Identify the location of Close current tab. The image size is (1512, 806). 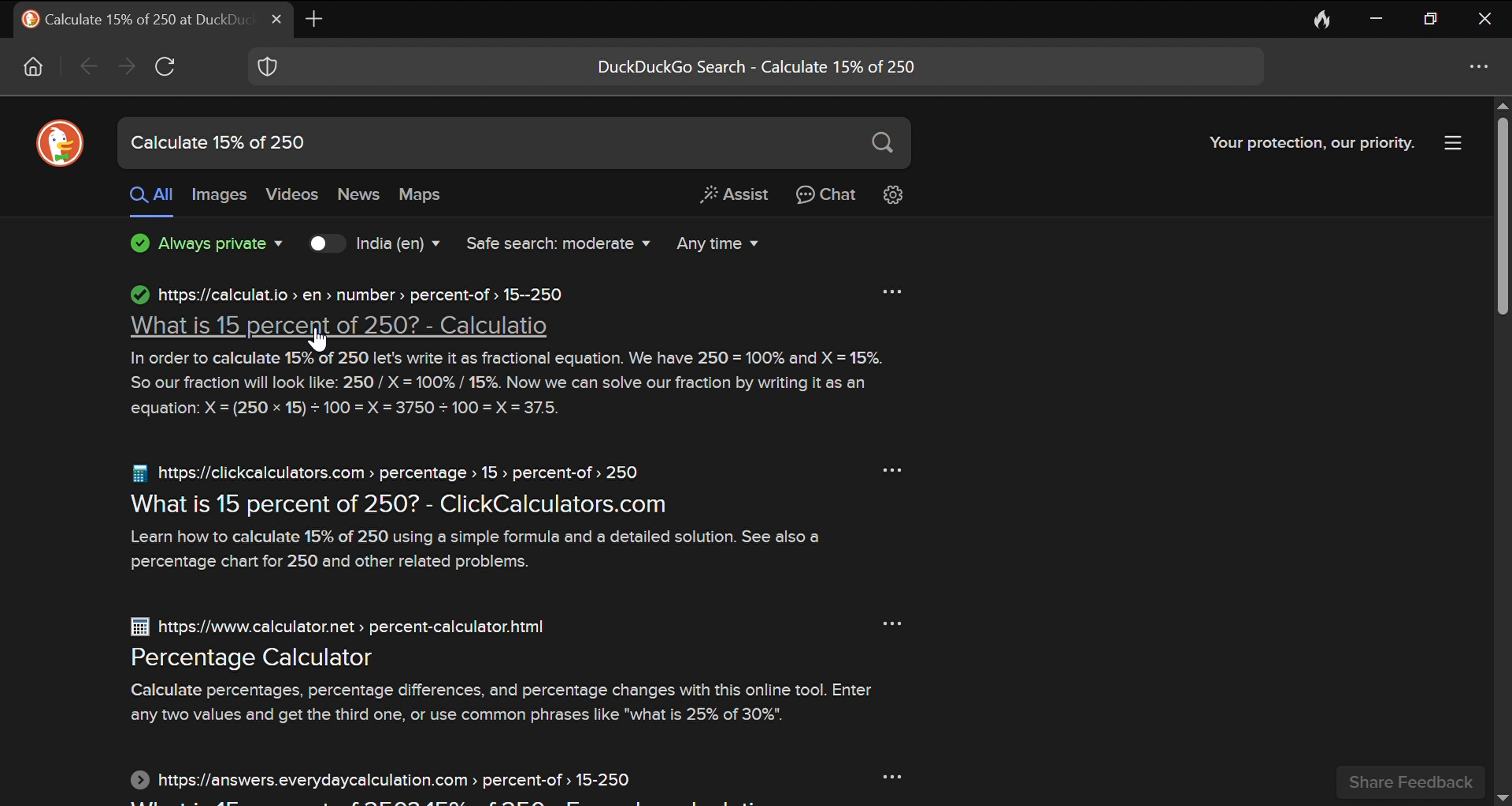
(277, 19).